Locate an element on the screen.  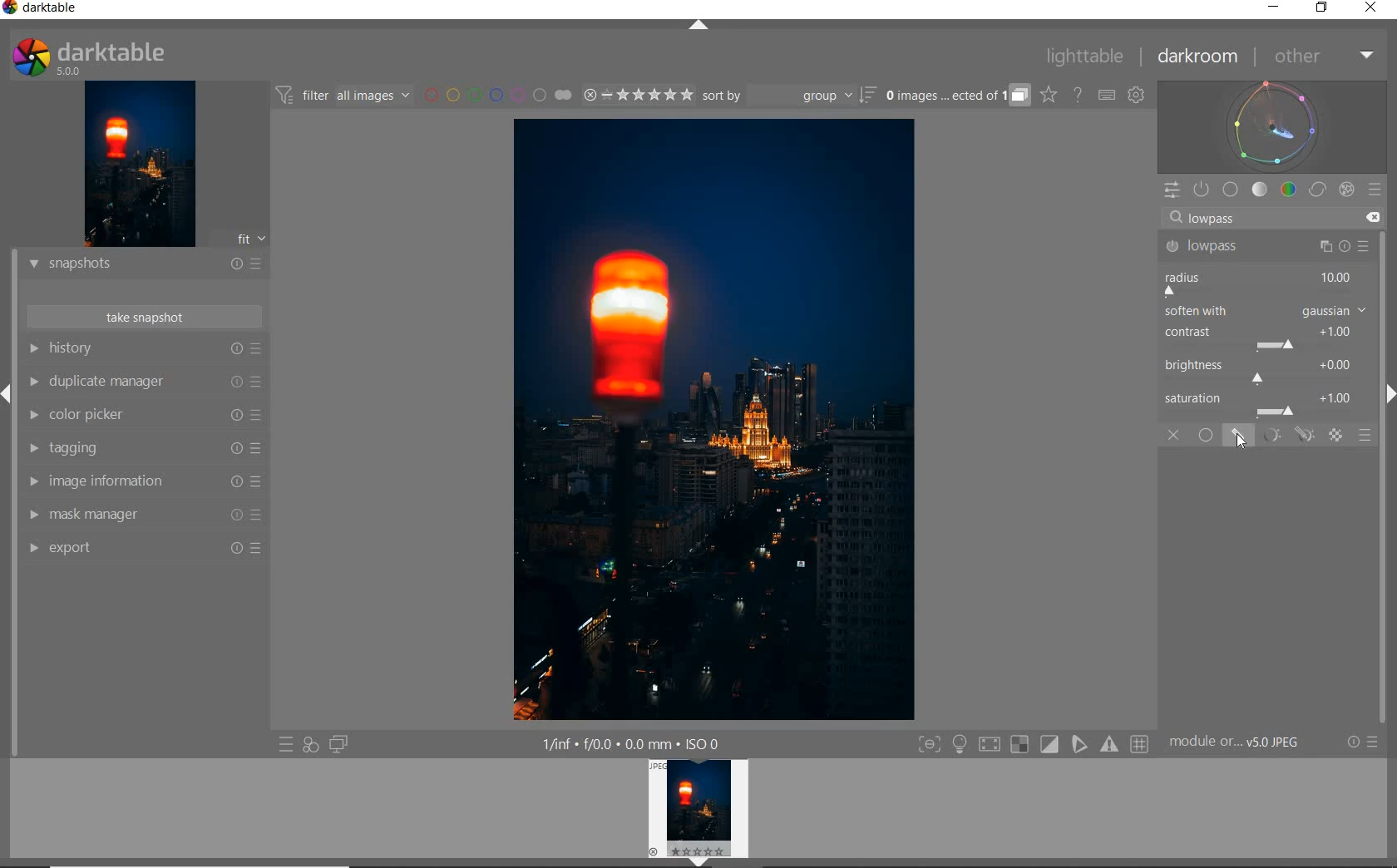
QUICK ACCESS TO PRESET is located at coordinates (286, 747).